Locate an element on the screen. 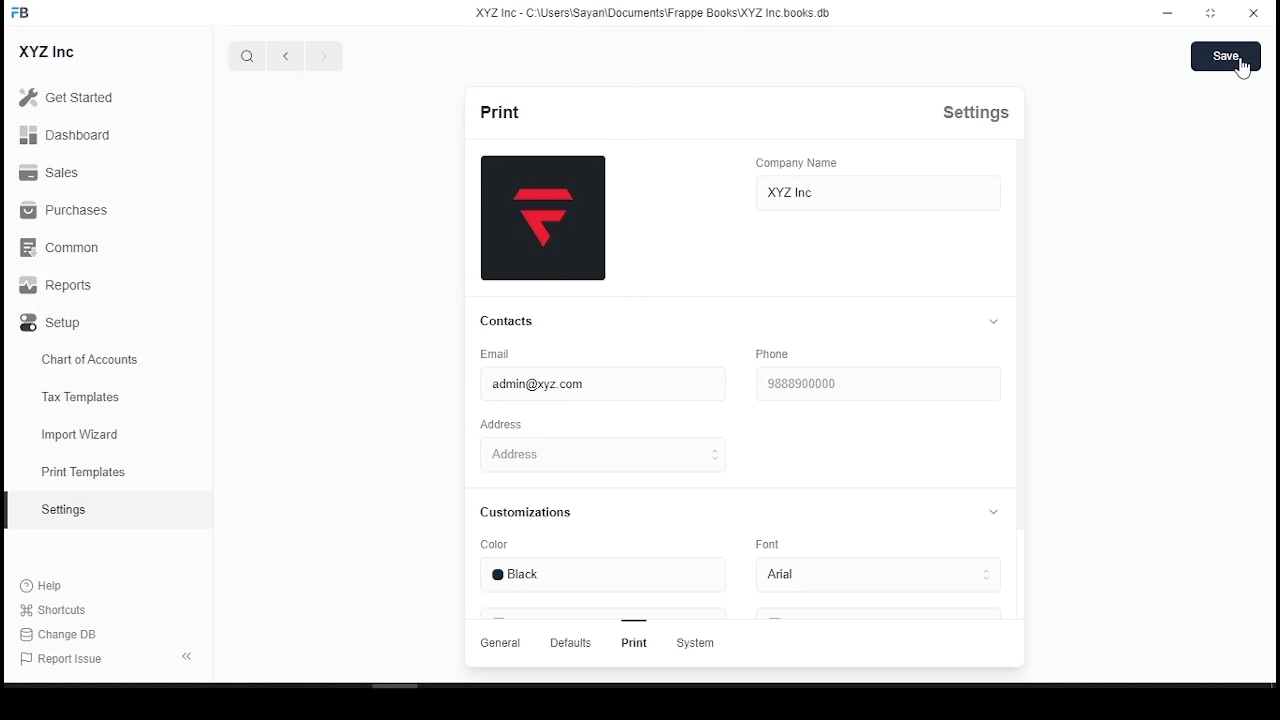 This screenshot has width=1280, height=720. black is located at coordinates (533, 575).